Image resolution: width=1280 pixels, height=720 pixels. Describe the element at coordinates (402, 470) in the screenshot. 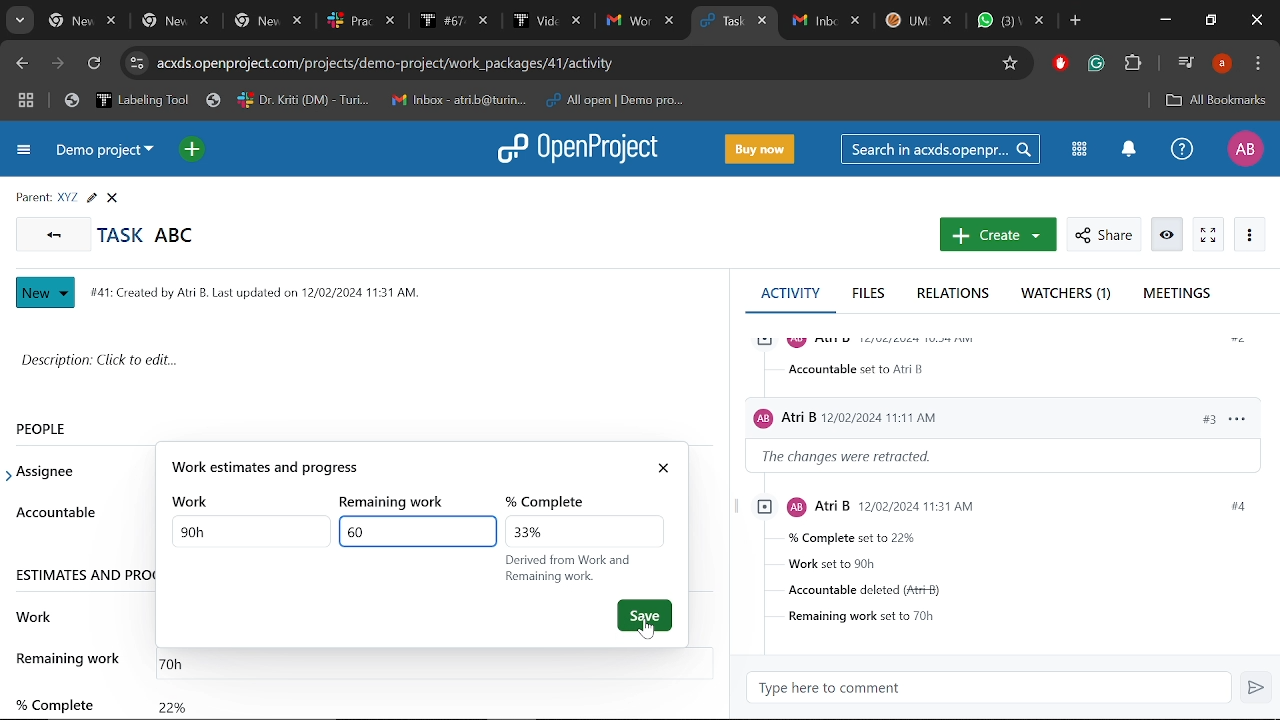

I see `work estimate and progress` at that location.